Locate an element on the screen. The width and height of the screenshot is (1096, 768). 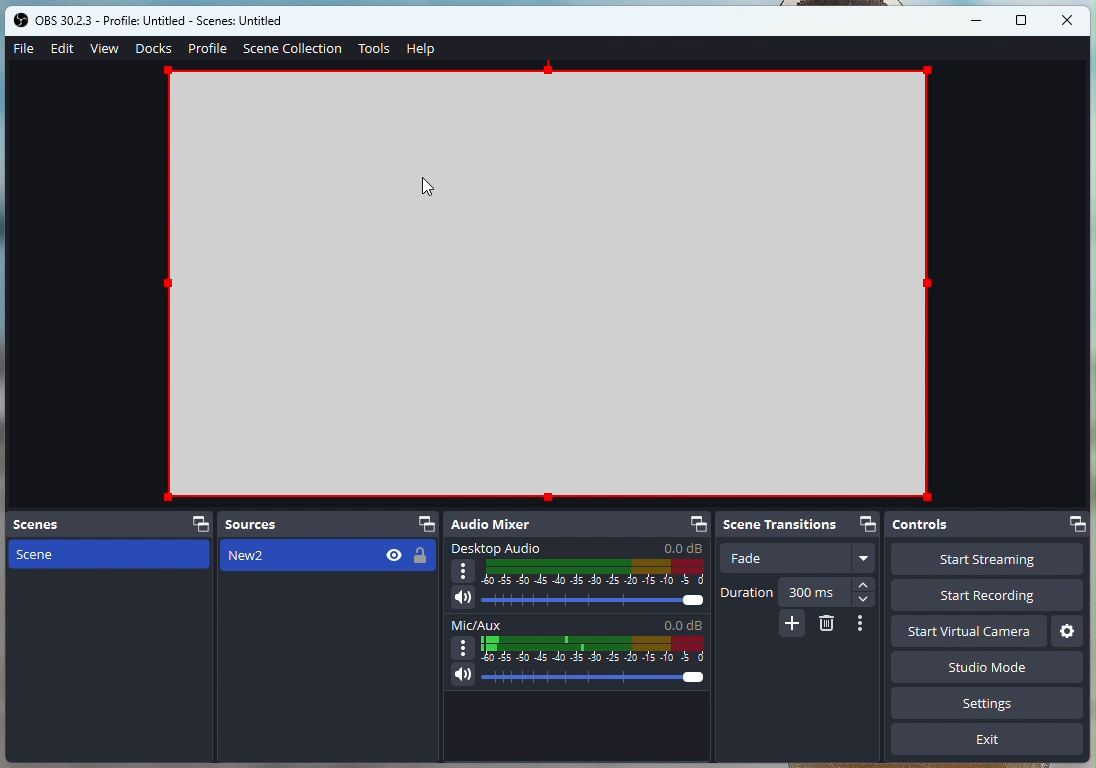
File is located at coordinates (22, 49).